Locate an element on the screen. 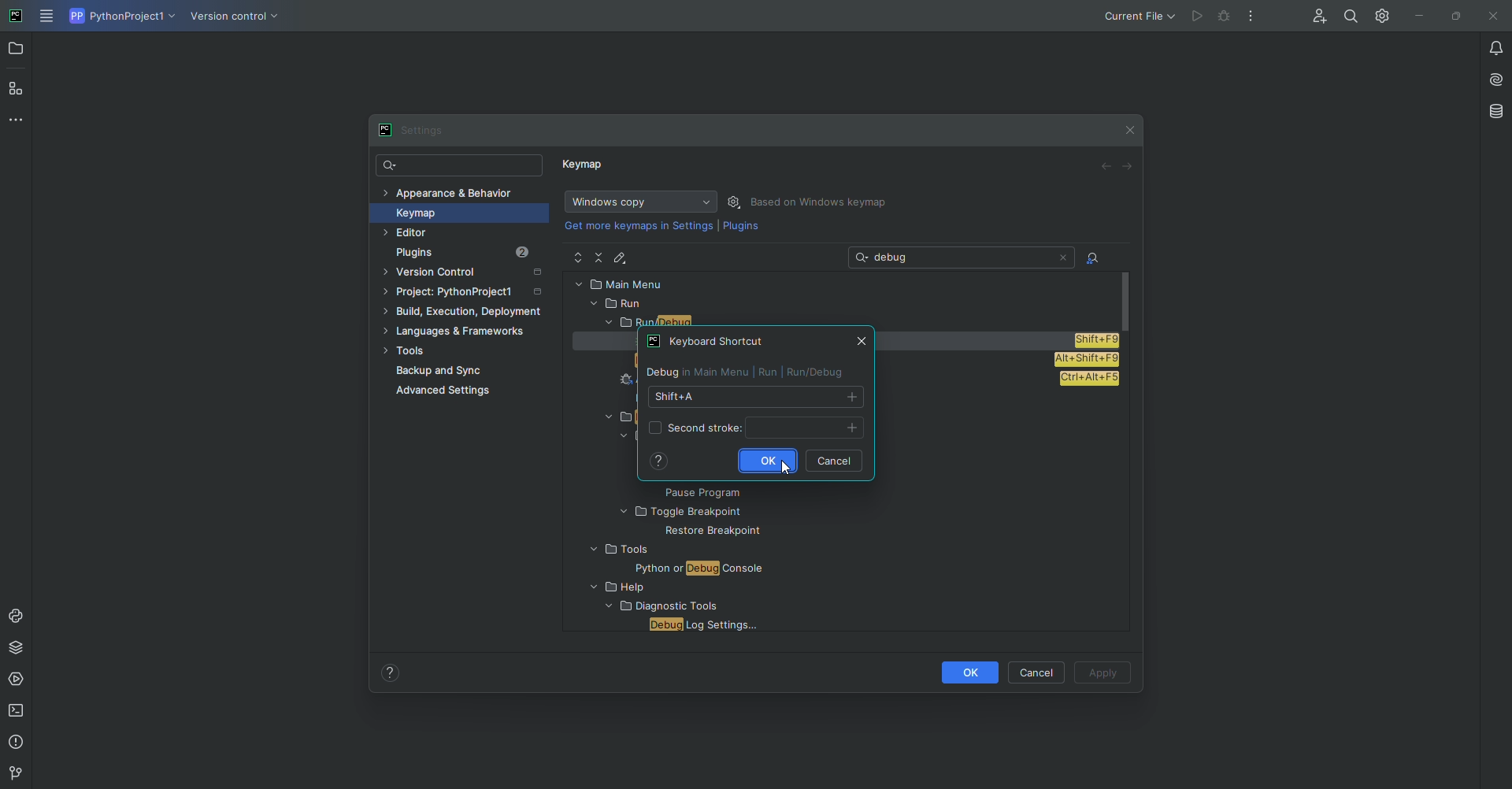 This screenshot has height=789, width=1512. FILE NAME is located at coordinates (736, 492).